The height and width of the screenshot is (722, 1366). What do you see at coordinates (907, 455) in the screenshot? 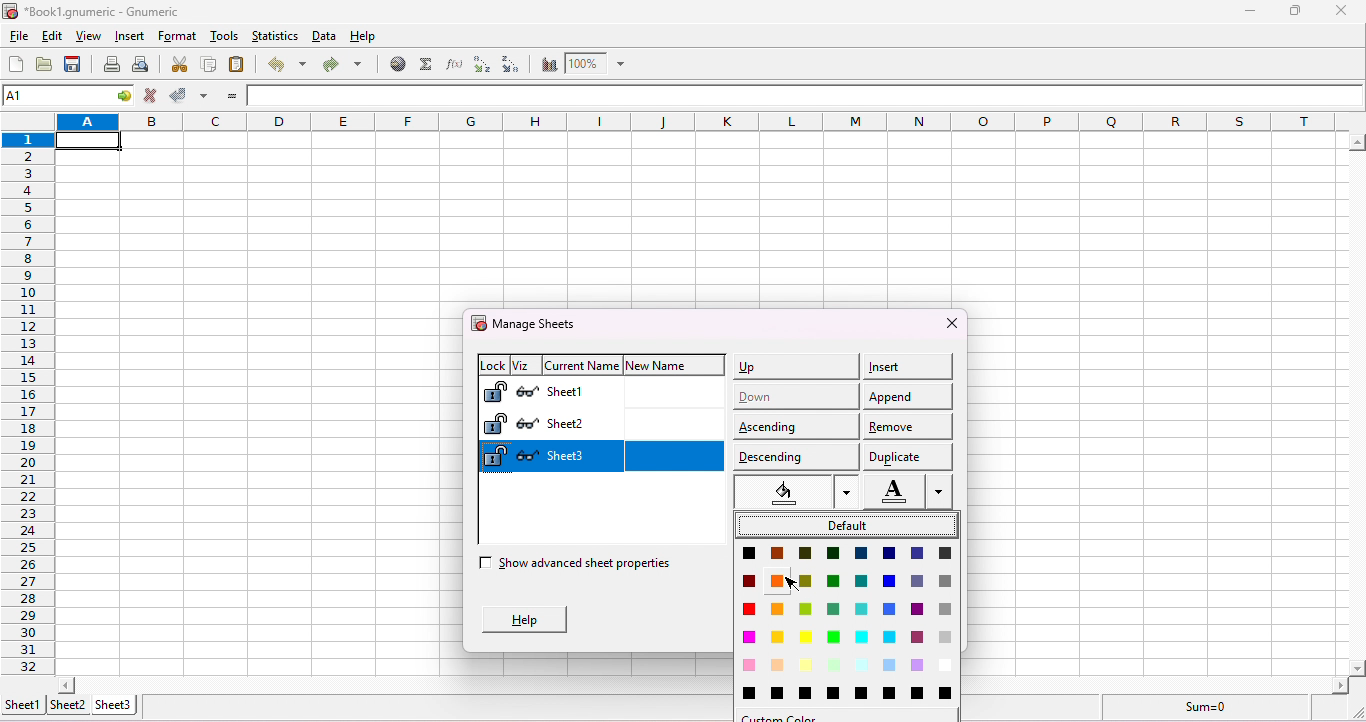
I see `duplicate` at bounding box center [907, 455].